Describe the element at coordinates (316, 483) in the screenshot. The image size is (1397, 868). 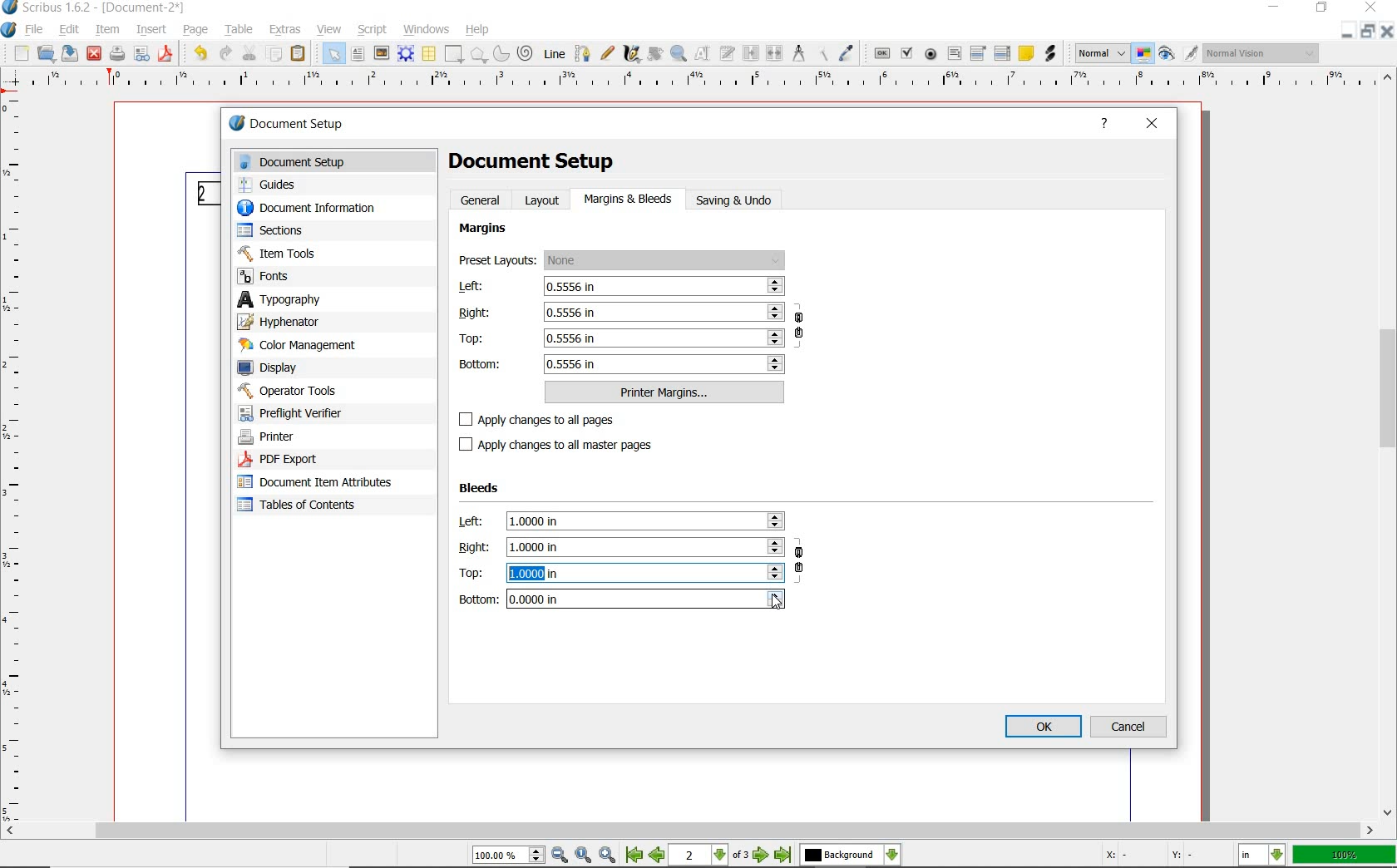
I see `document item attributes` at that location.